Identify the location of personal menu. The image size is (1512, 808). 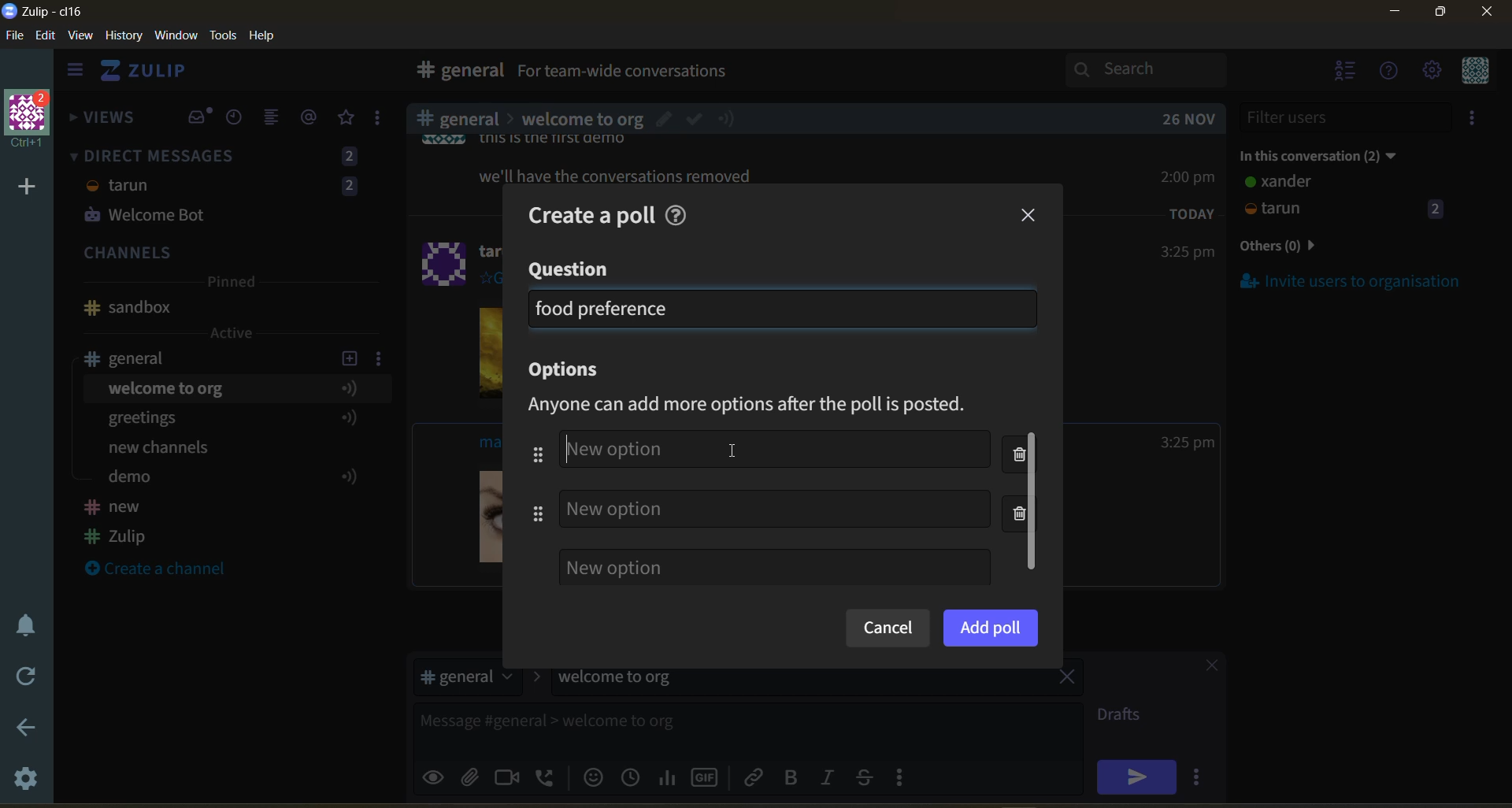
(1473, 72).